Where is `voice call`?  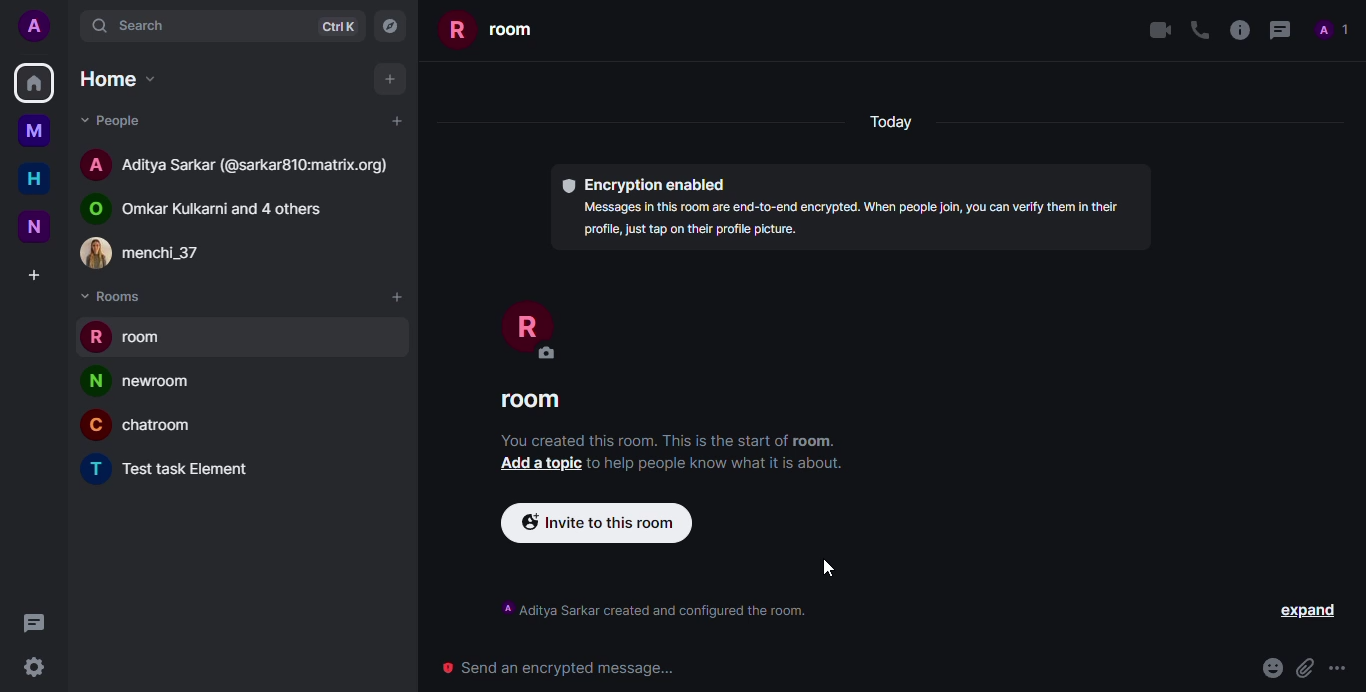
voice call is located at coordinates (1198, 31).